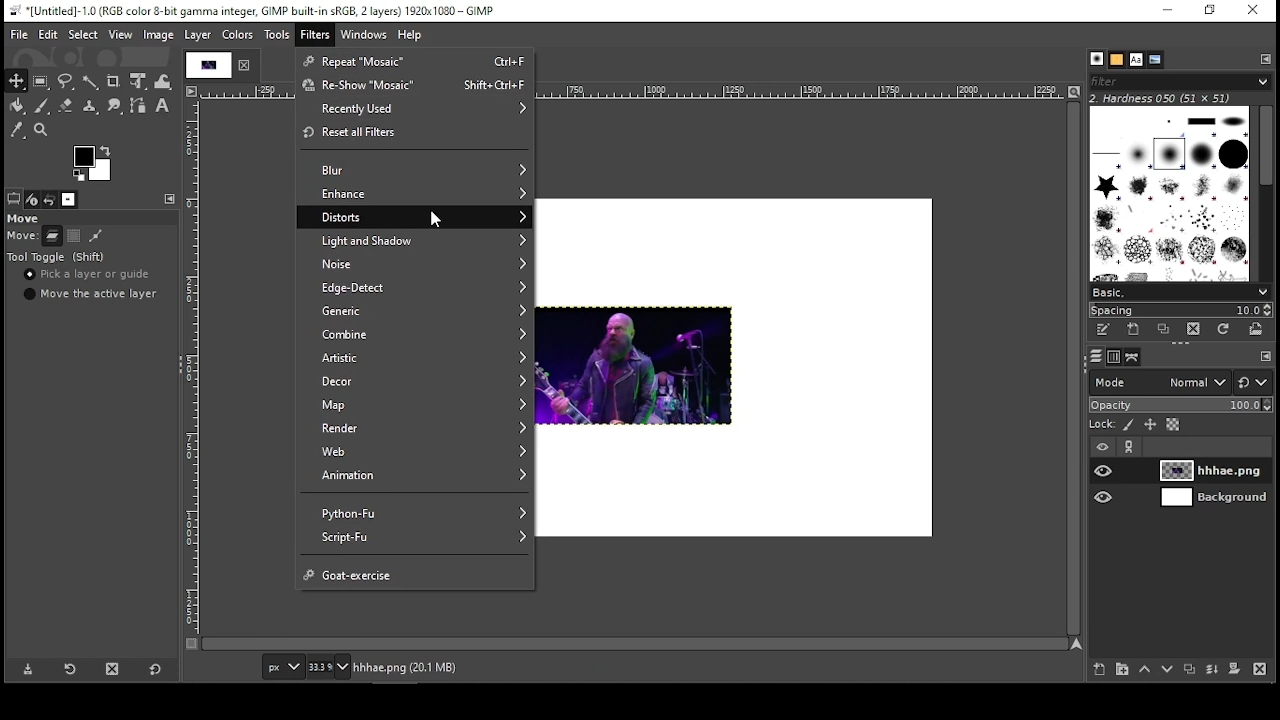 The height and width of the screenshot is (720, 1280). Describe the element at coordinates (1215, 470) in the screenshot. I see `layer ` at that location.